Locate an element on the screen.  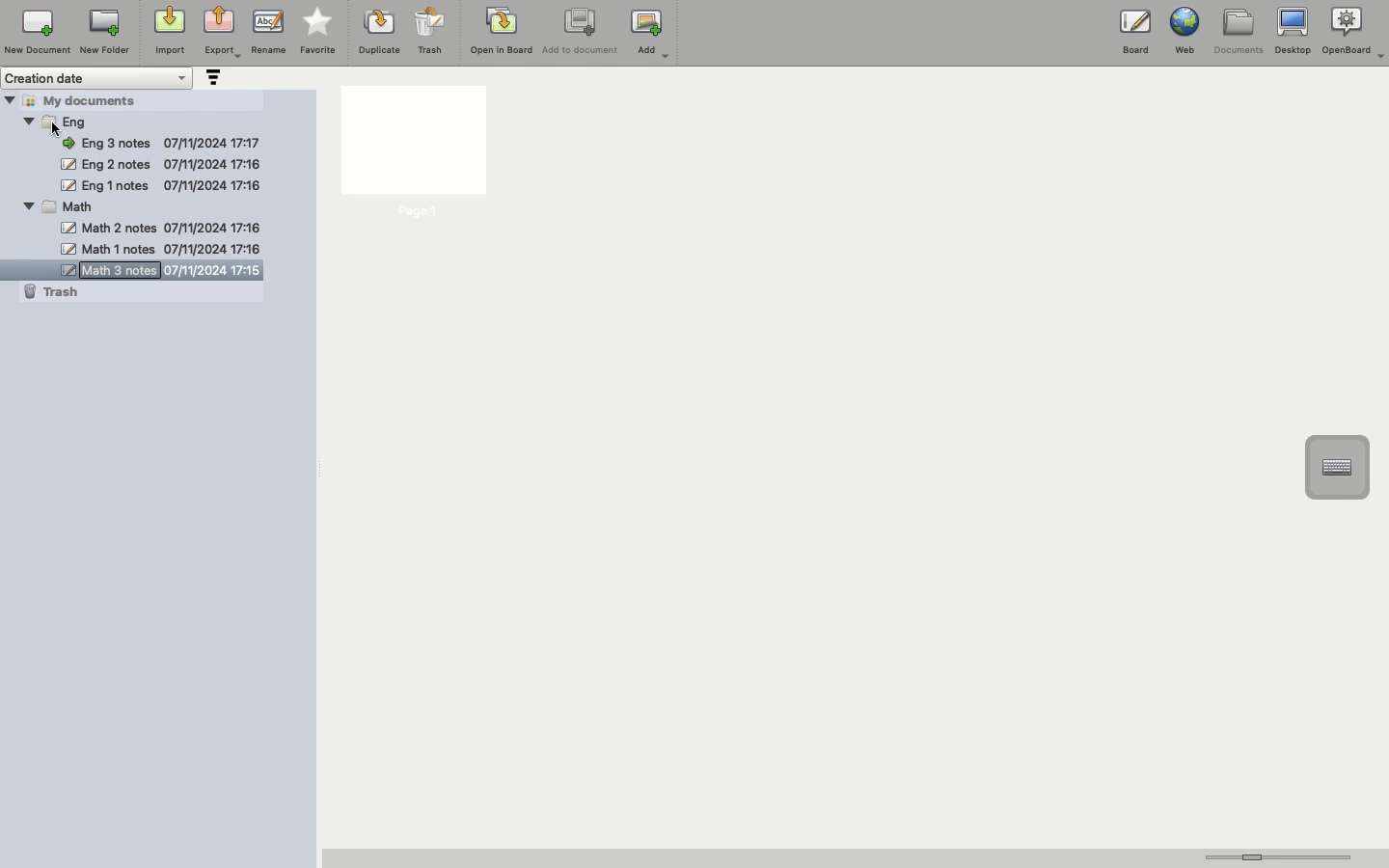
Add to document is located at coordinates (582, 33).